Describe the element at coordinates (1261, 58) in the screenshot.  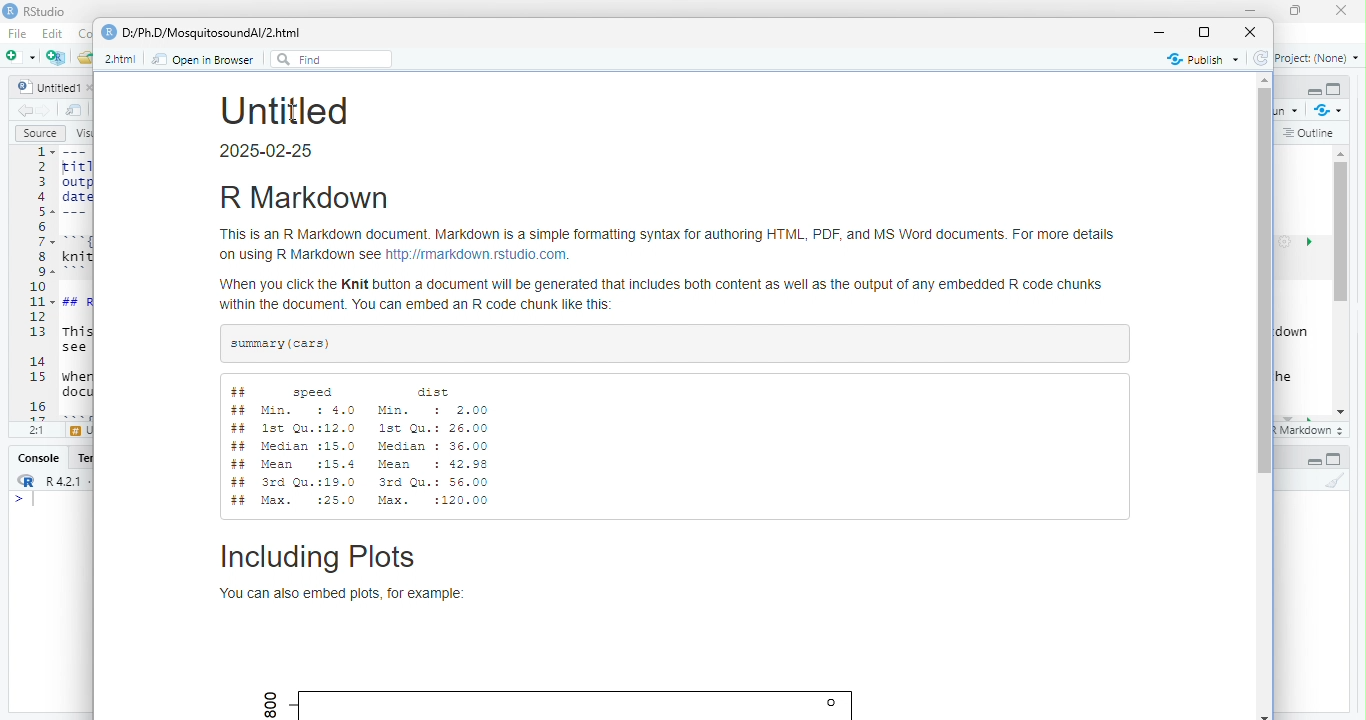
I see `sync` at that location.